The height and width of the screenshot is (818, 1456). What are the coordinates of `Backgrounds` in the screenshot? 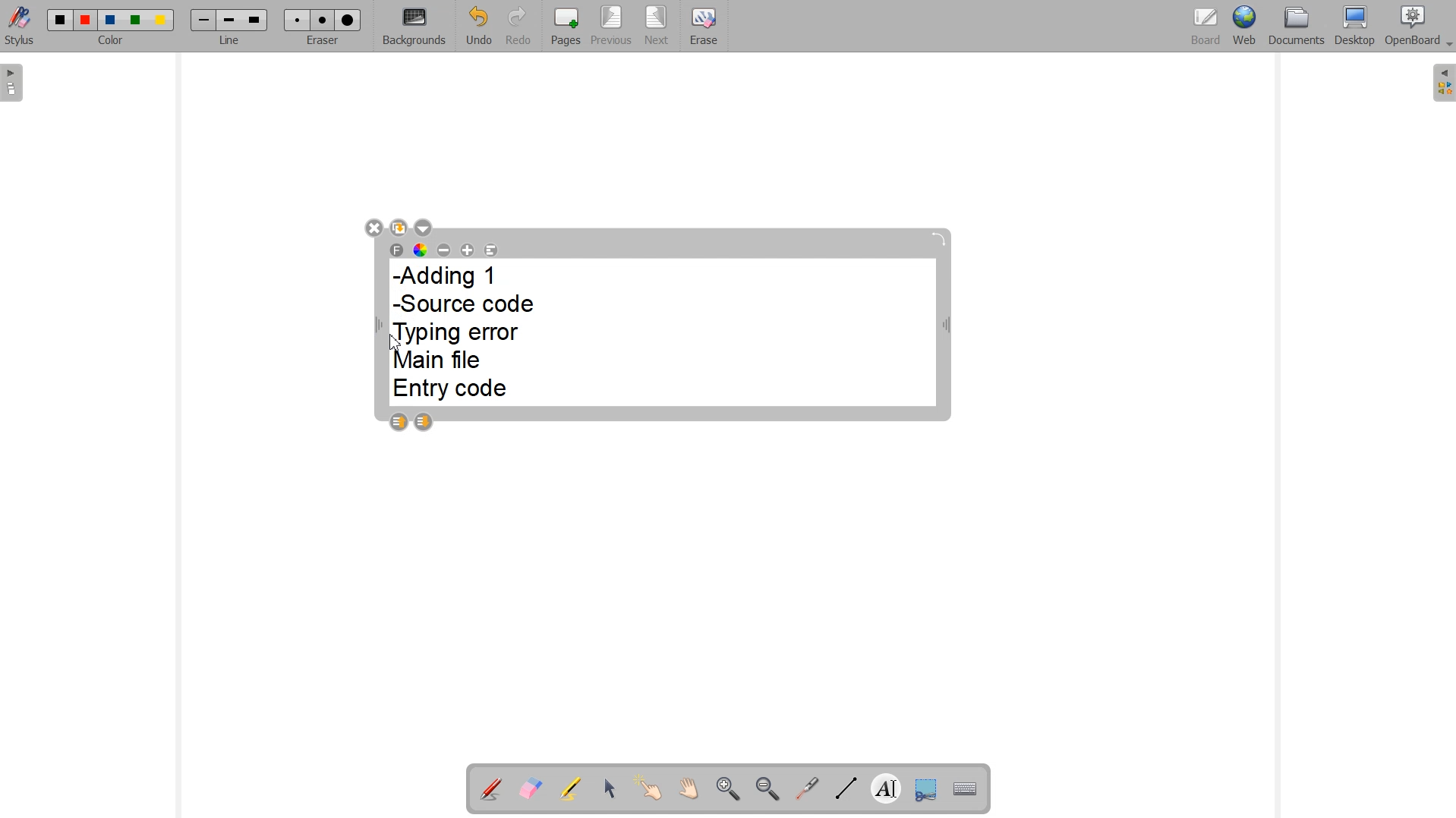 It's located at (414, 27).